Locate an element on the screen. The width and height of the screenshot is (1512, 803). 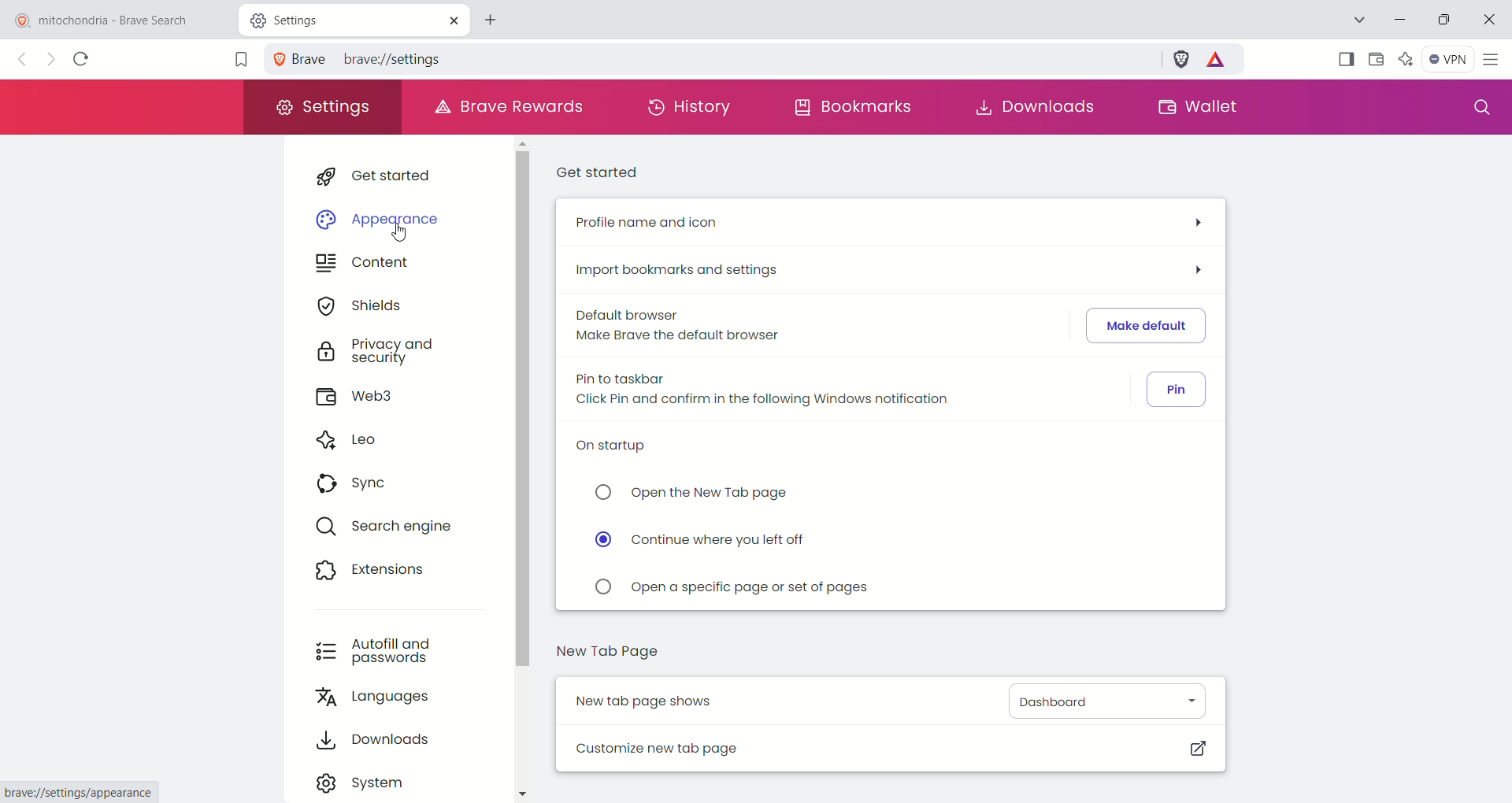
appearance is located at coordinates (380, 213).